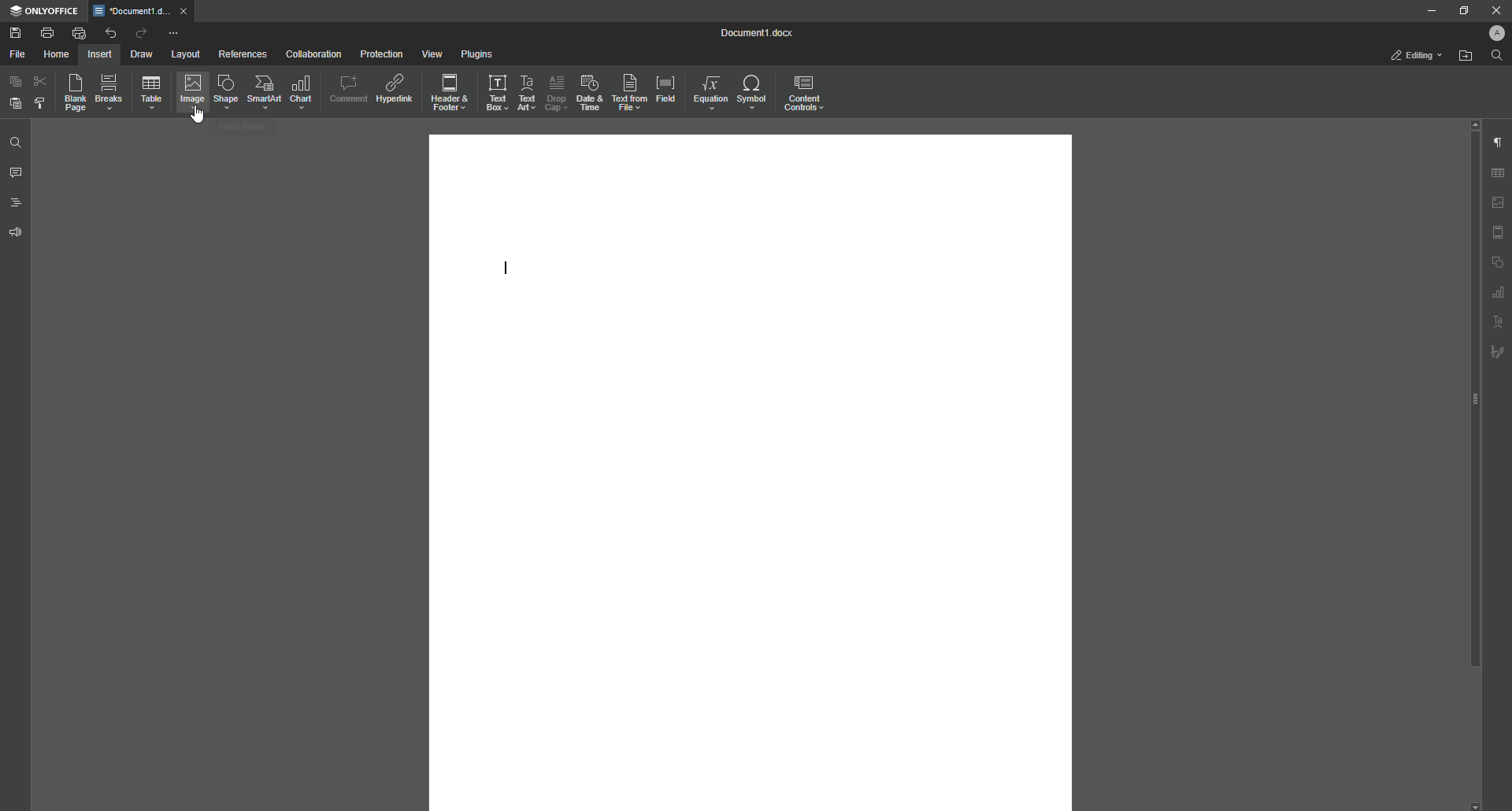  What do you see at coordinates (40, 81) in the screenshot?
I see `Cut` at bounding box center [40, 81].